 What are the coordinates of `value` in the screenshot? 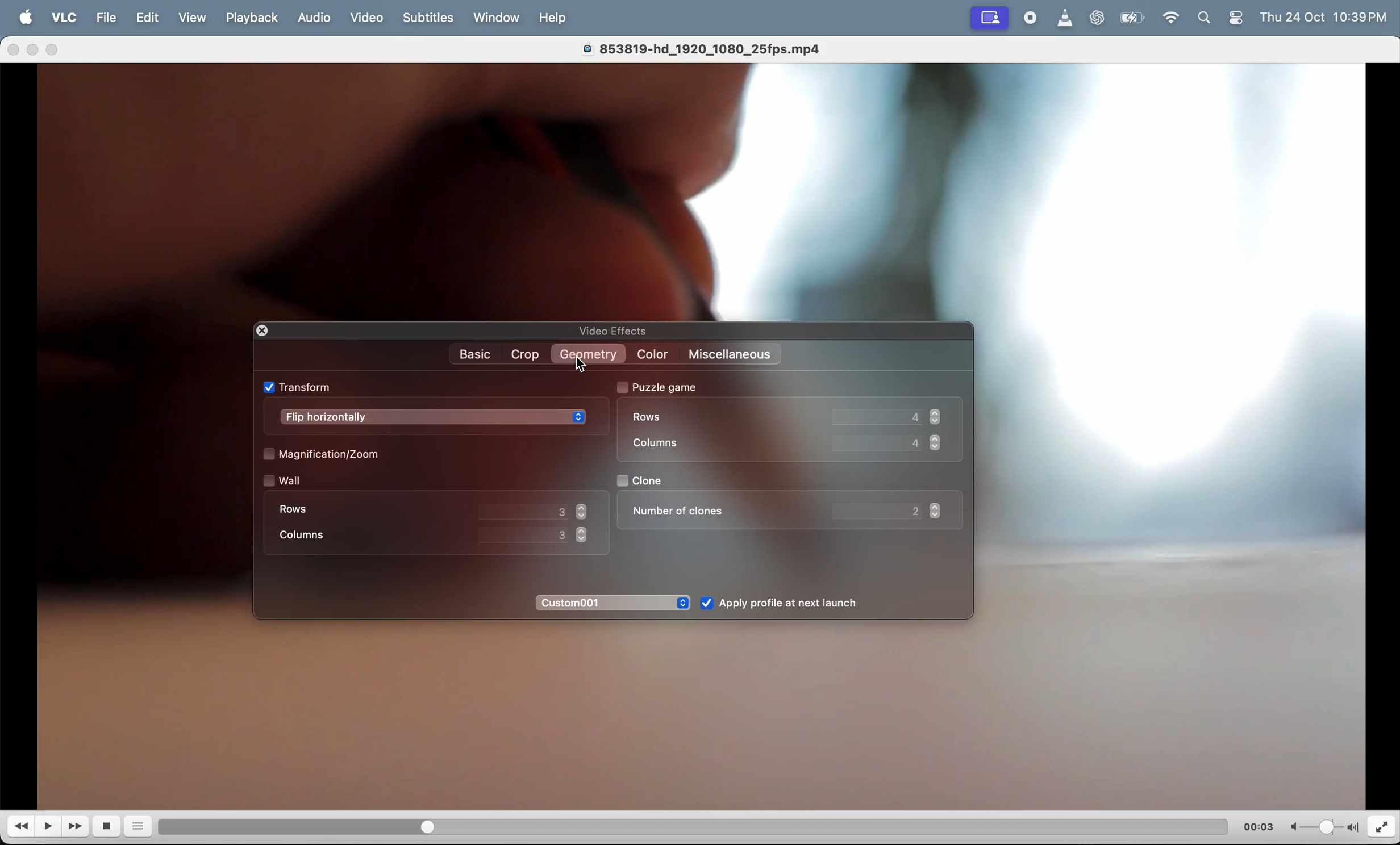 It's located at (534, 534).